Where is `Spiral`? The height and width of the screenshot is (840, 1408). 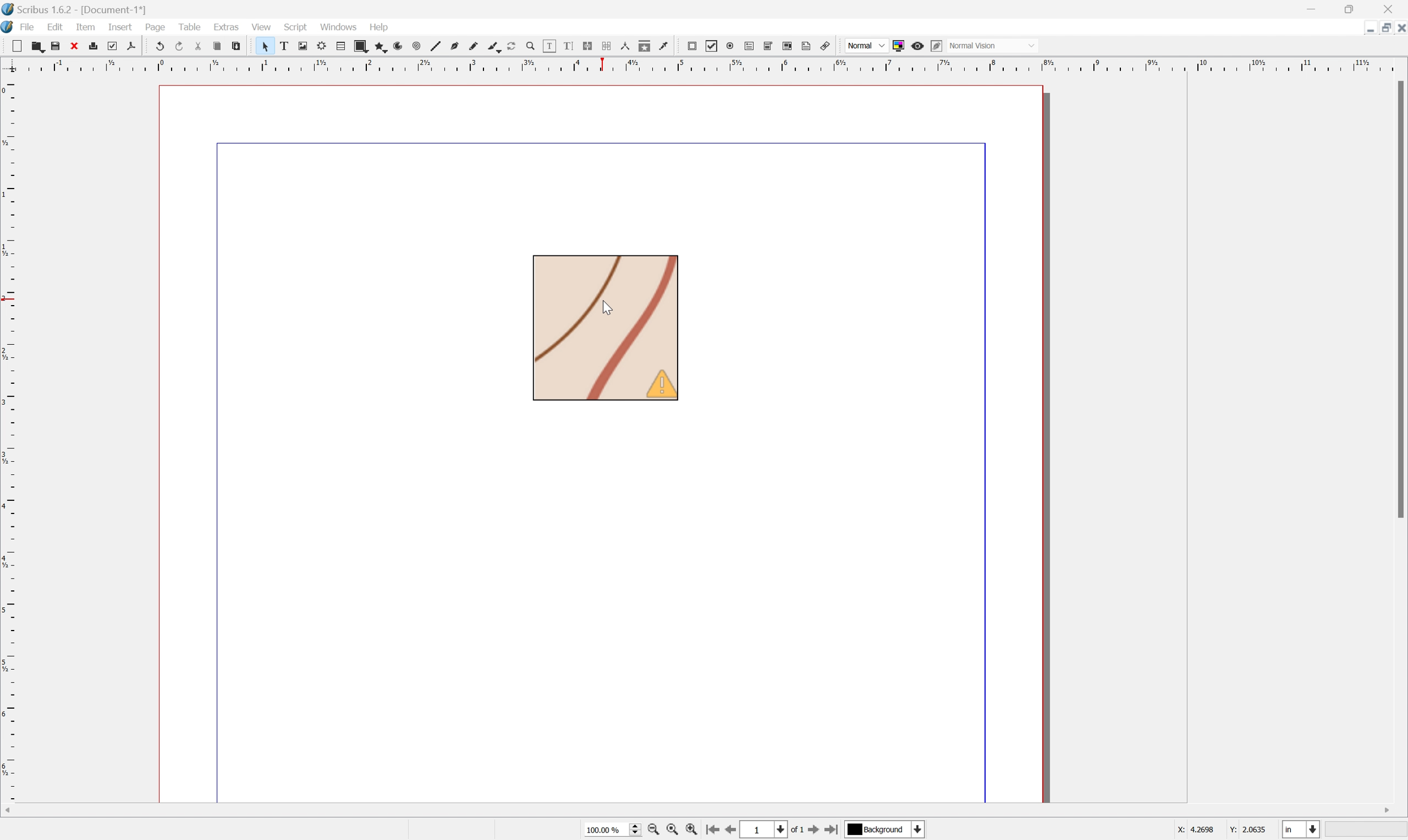 Spiral is located at coordinates (421, 47).